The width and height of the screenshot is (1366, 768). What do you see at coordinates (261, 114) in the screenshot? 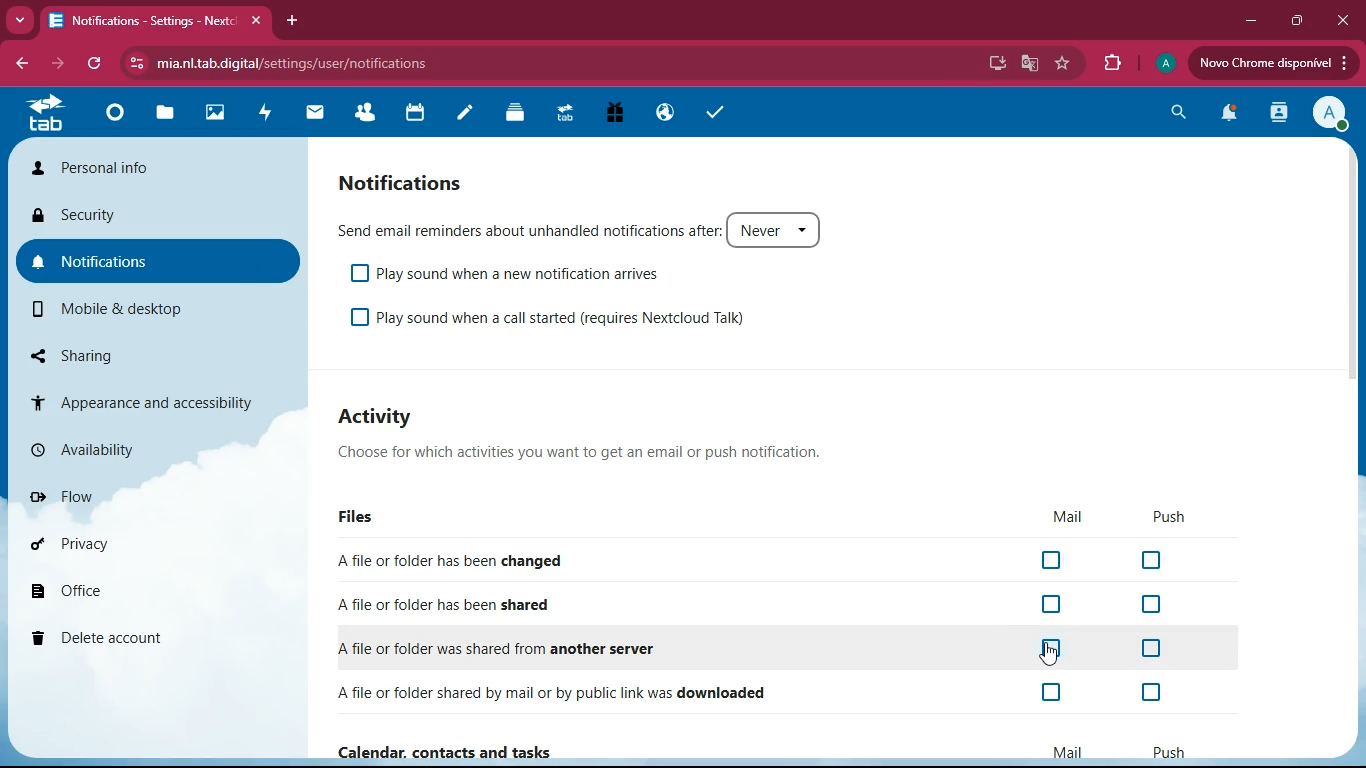
I see `activity` at bounding box center [261, 114].